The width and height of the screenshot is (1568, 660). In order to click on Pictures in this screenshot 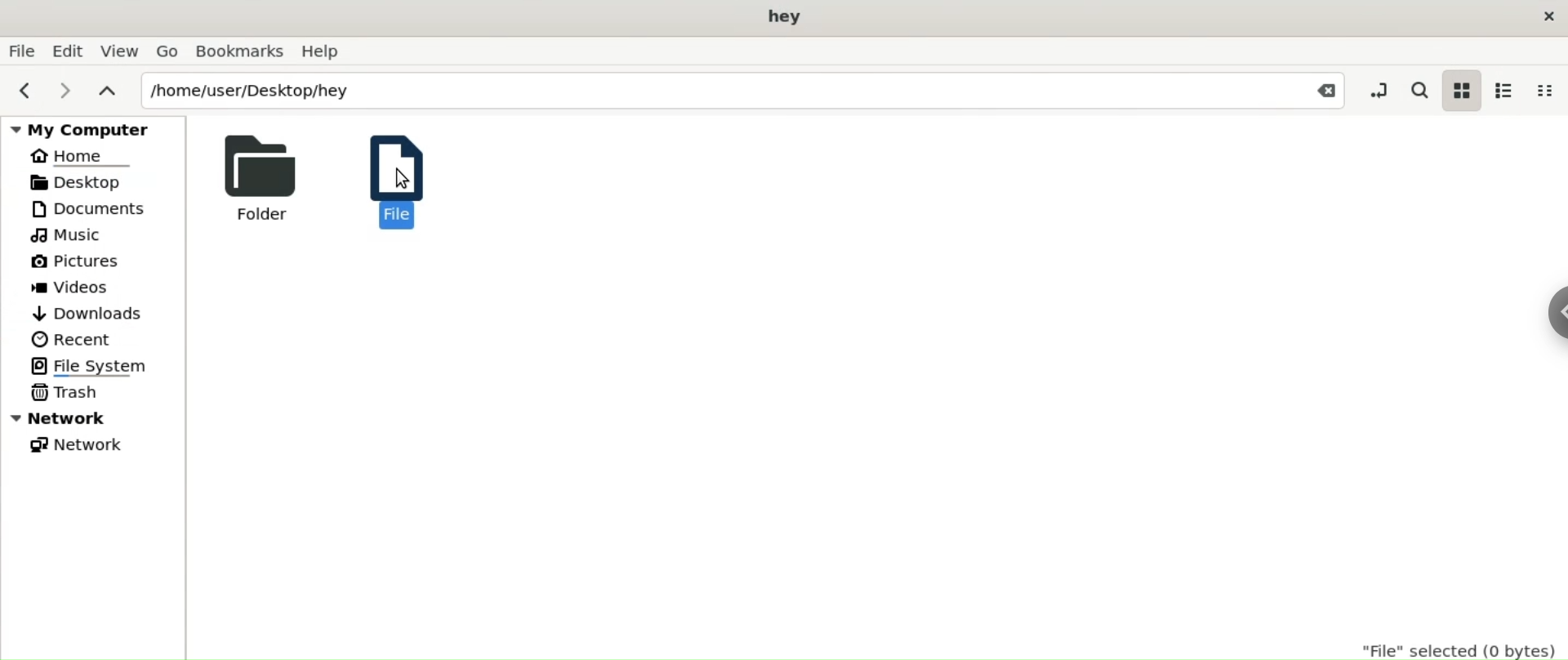, I will do `click(77, 258)`.